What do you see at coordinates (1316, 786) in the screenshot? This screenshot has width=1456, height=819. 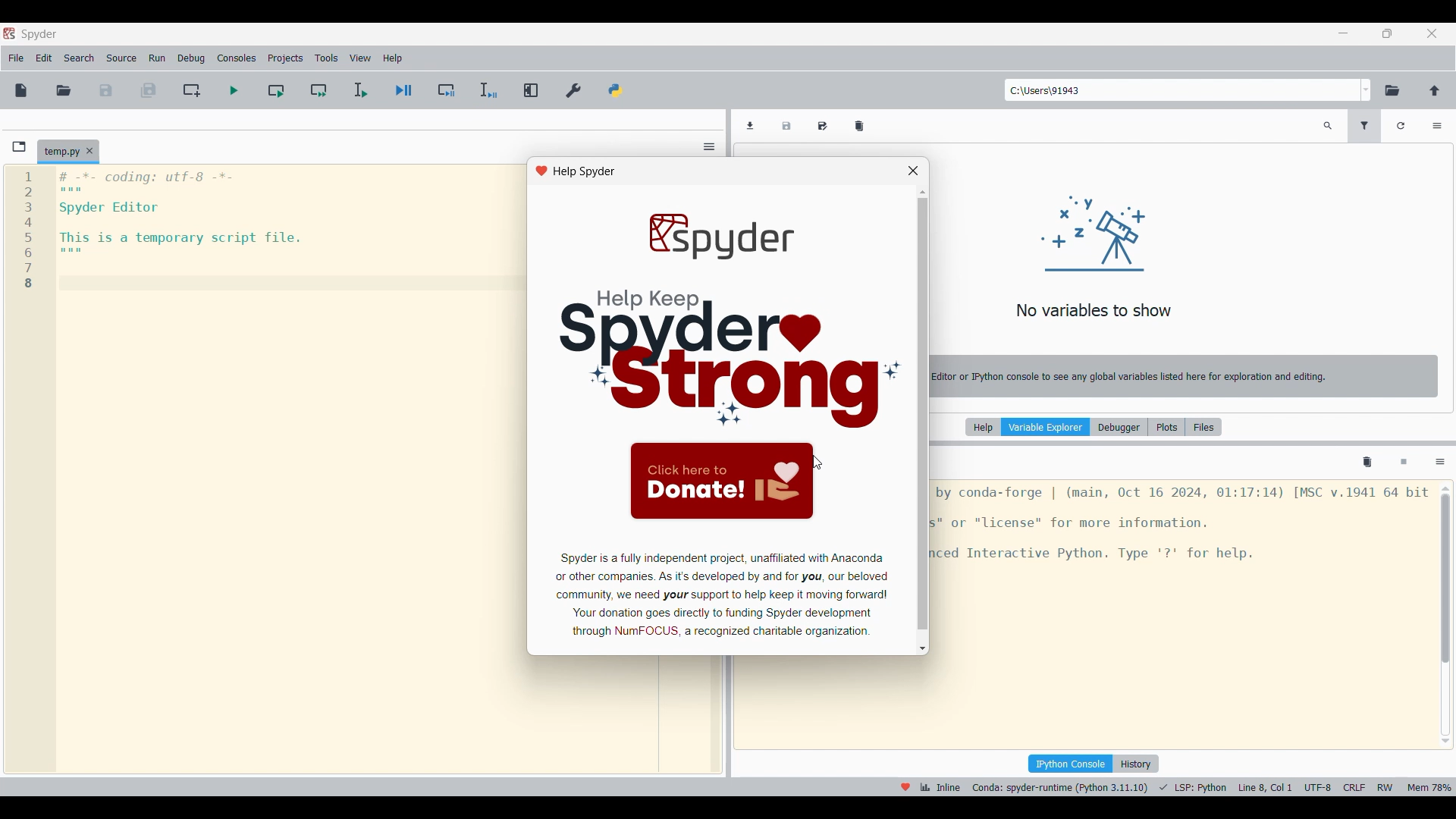 I see `utf-8` at bounding box center [1316, 786].